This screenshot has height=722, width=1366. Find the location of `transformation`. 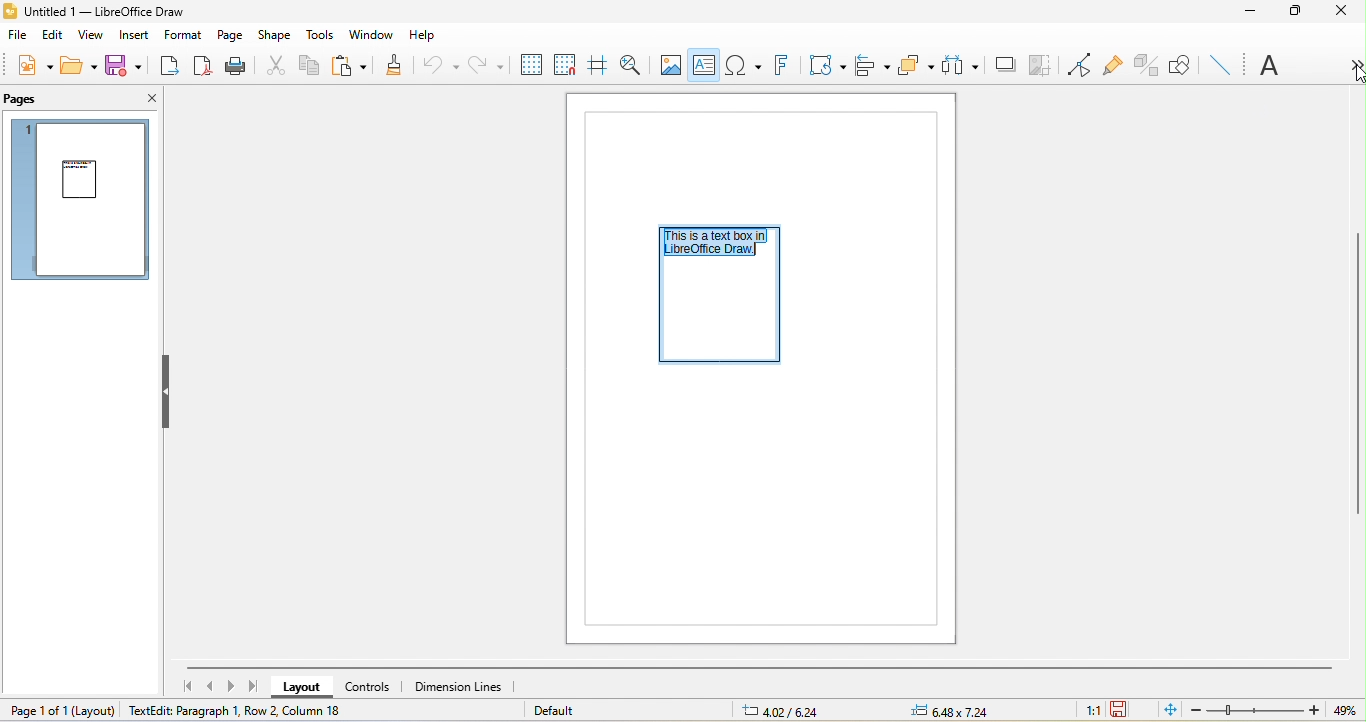

transformation is located at coordinates (822, 67).